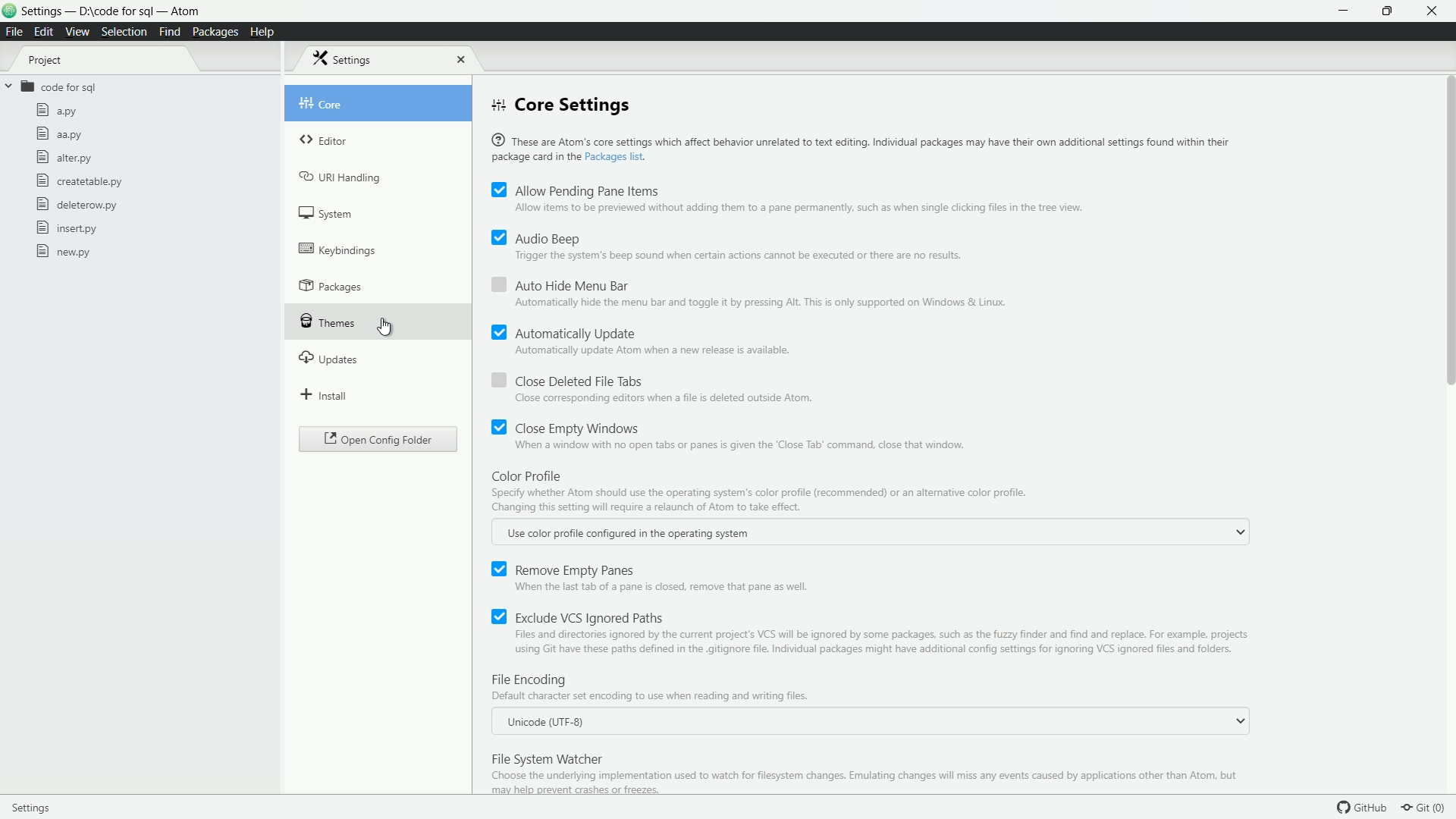  What do you see at coordinates (1345, 11) in the screenshot?
I see `minimize` at bounding box center [1345, 11].